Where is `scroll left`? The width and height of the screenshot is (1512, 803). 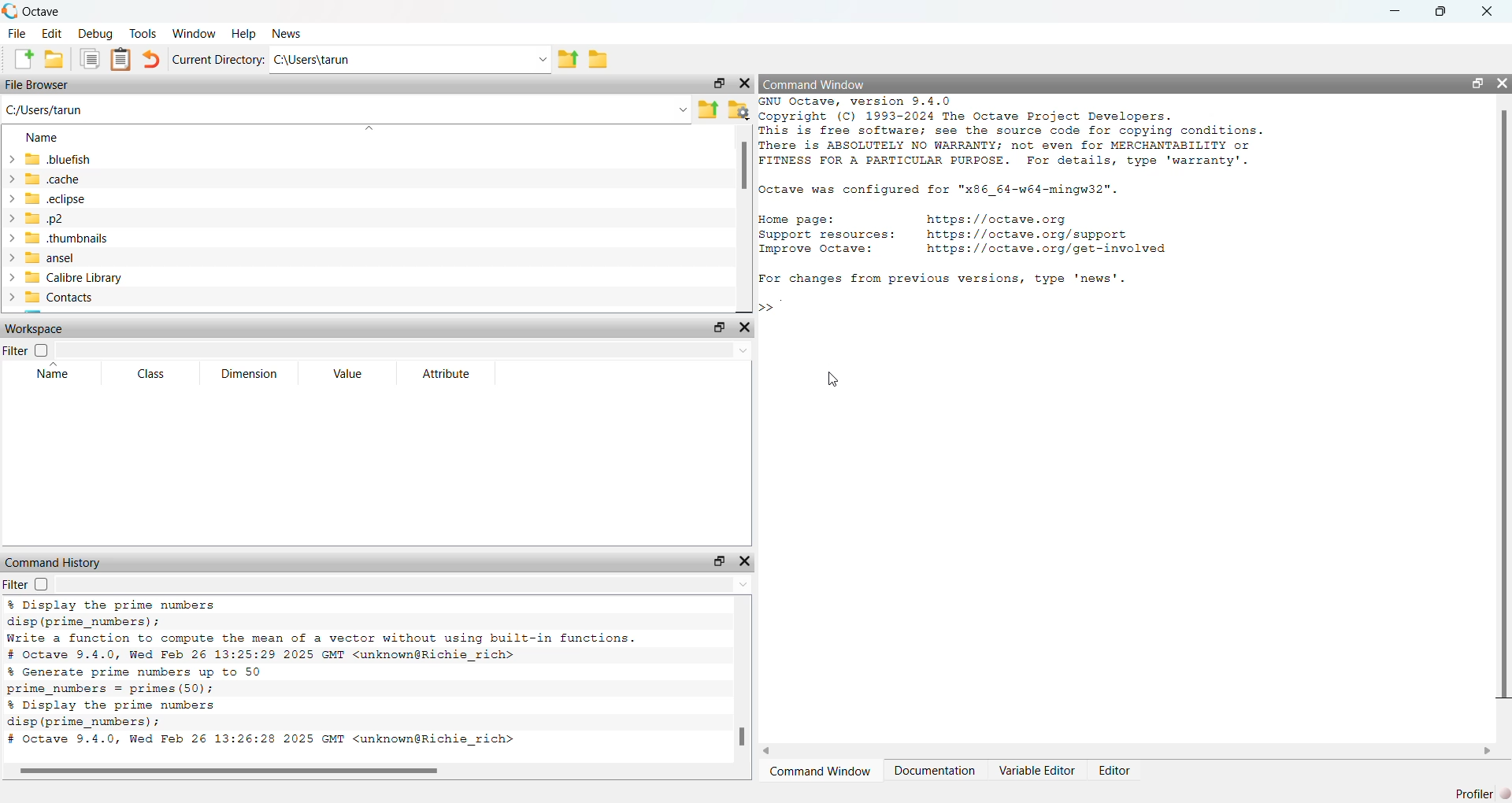
scroll left is located at coordinates (768, 751).